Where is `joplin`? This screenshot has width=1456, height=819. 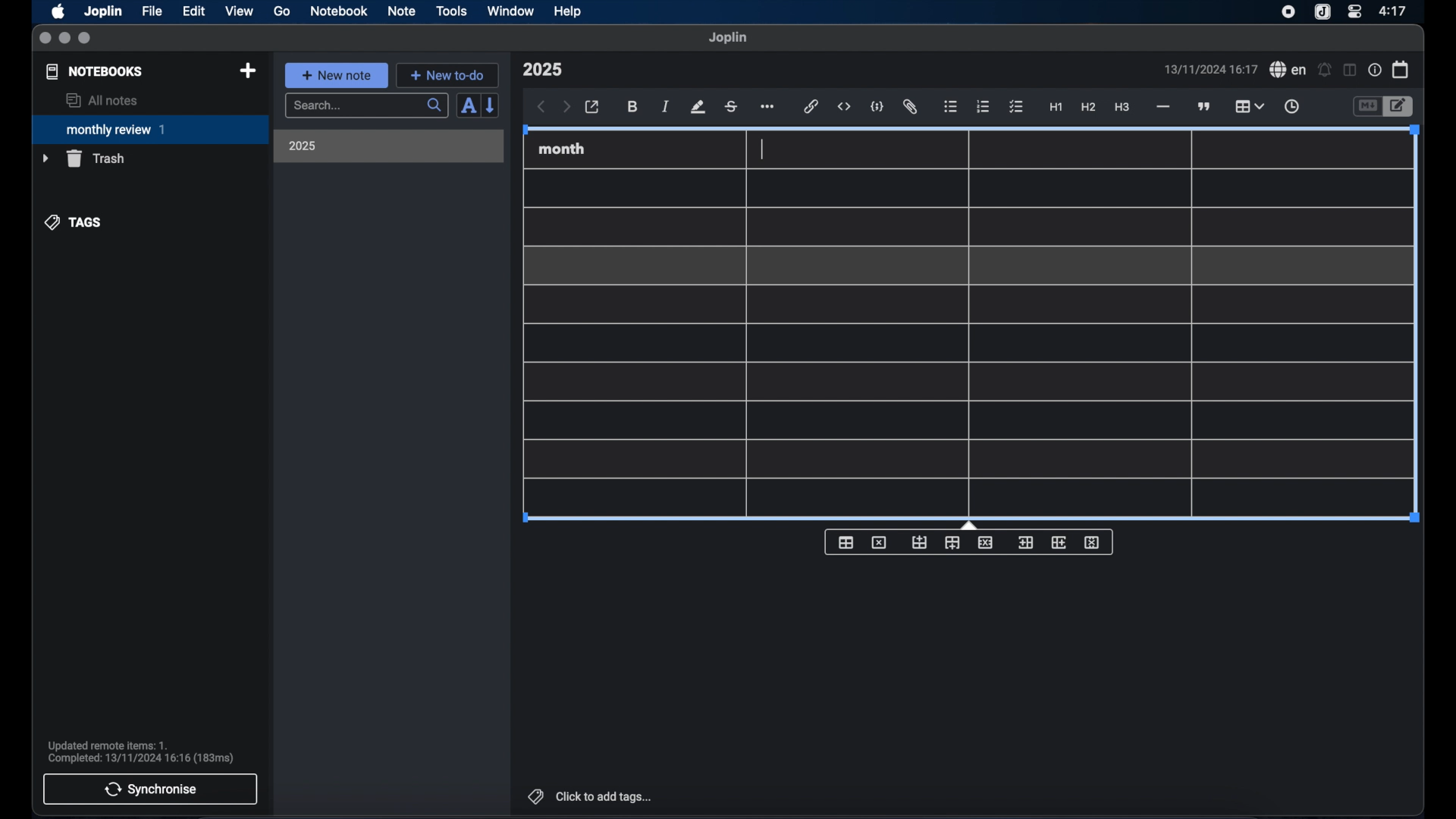 joplin is located at coordinates (728, 37).